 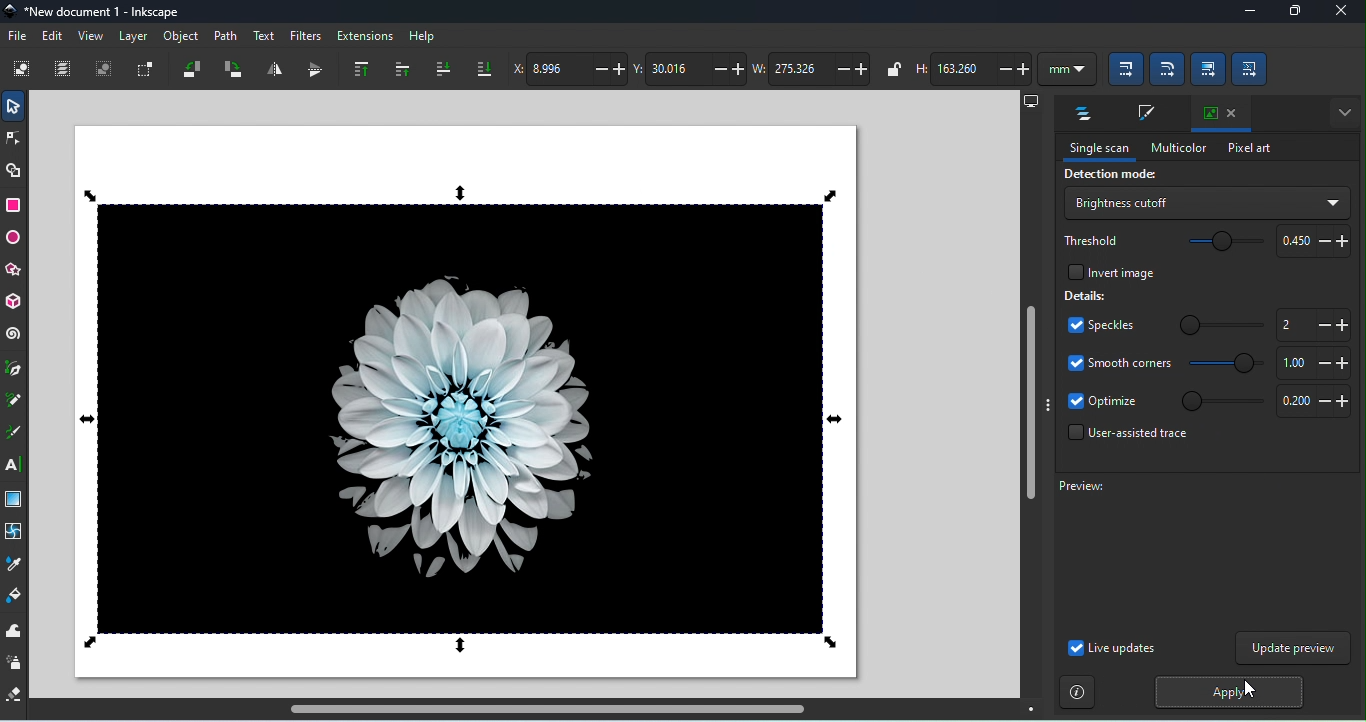 I want to click on star/polygon tool, so click(x=13, y=272).